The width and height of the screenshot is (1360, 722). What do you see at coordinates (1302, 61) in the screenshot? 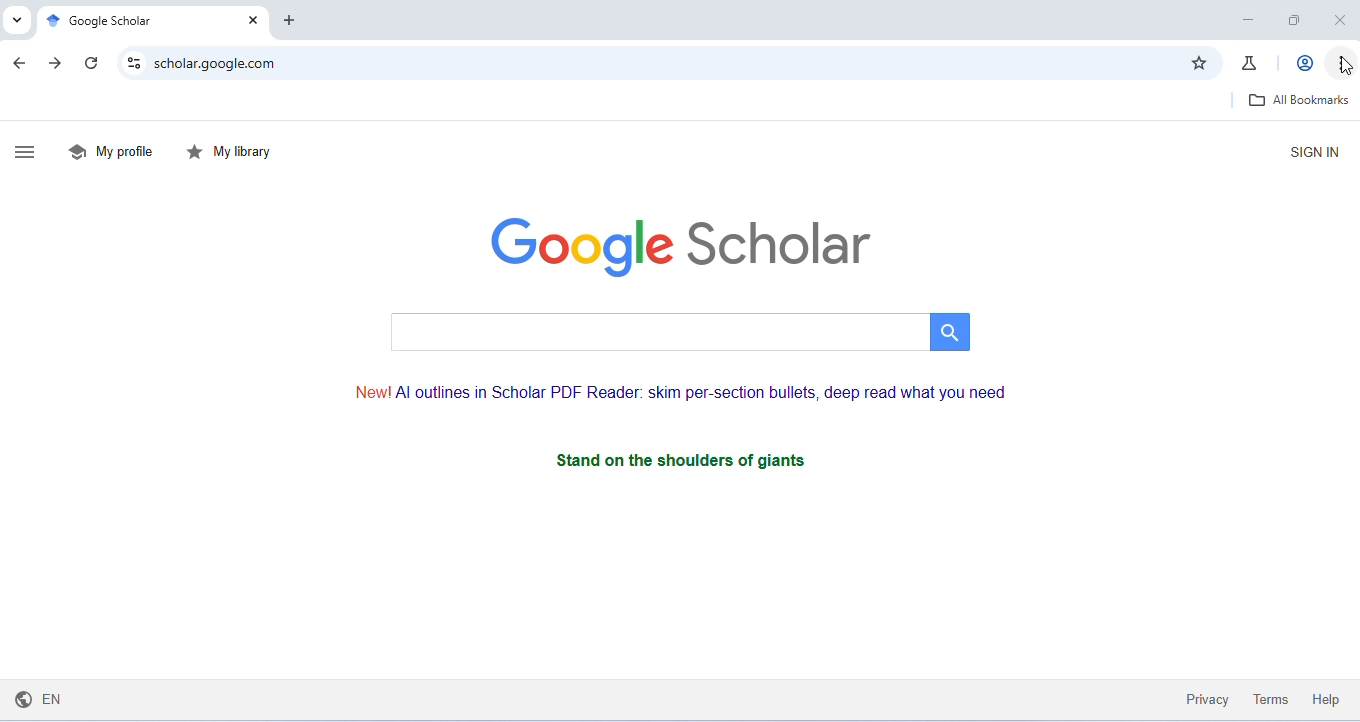
I see `account` at bounding box center [1302, 61].